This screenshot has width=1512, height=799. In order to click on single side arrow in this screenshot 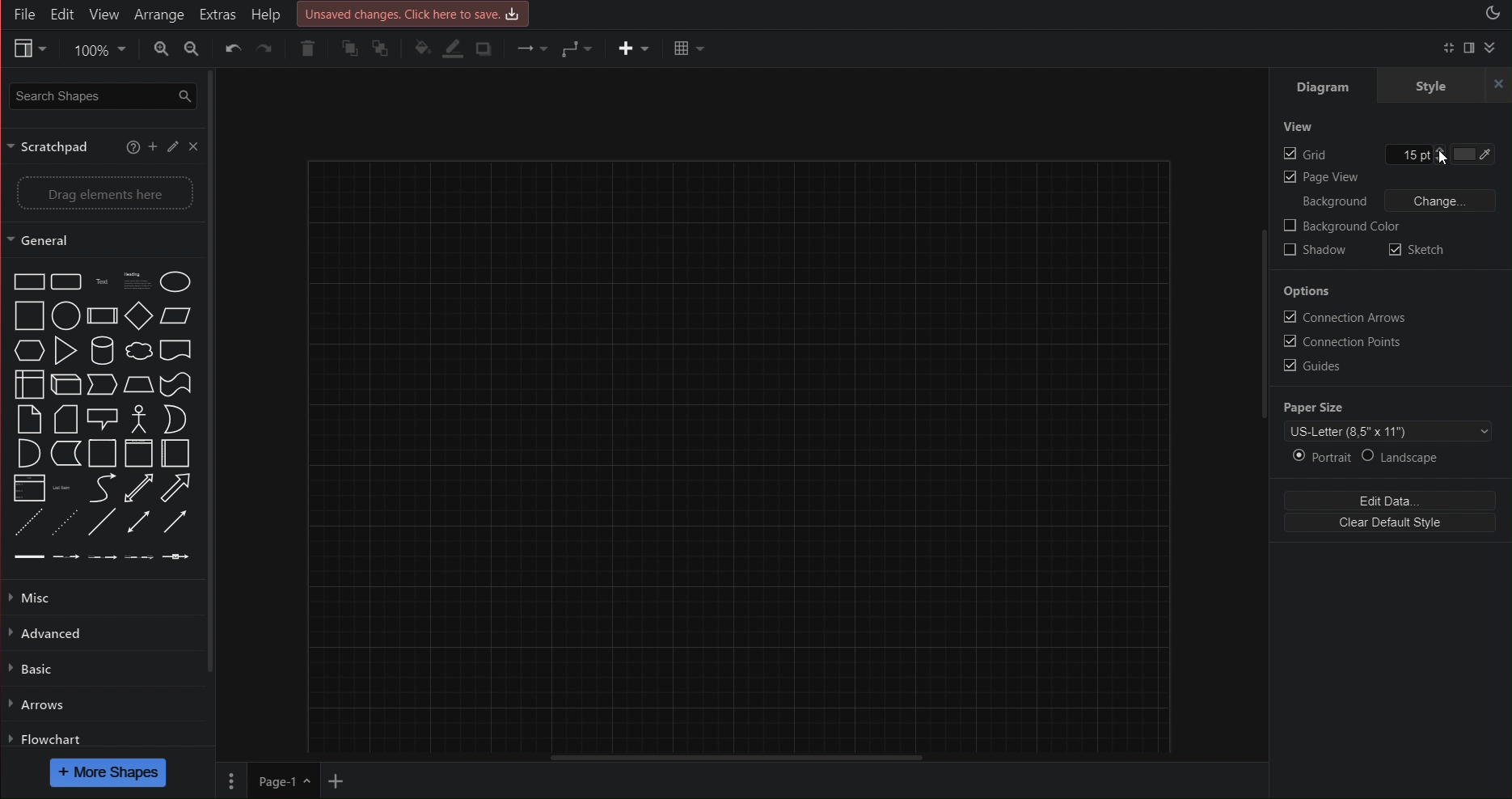, I will do `click(171, 522)`.